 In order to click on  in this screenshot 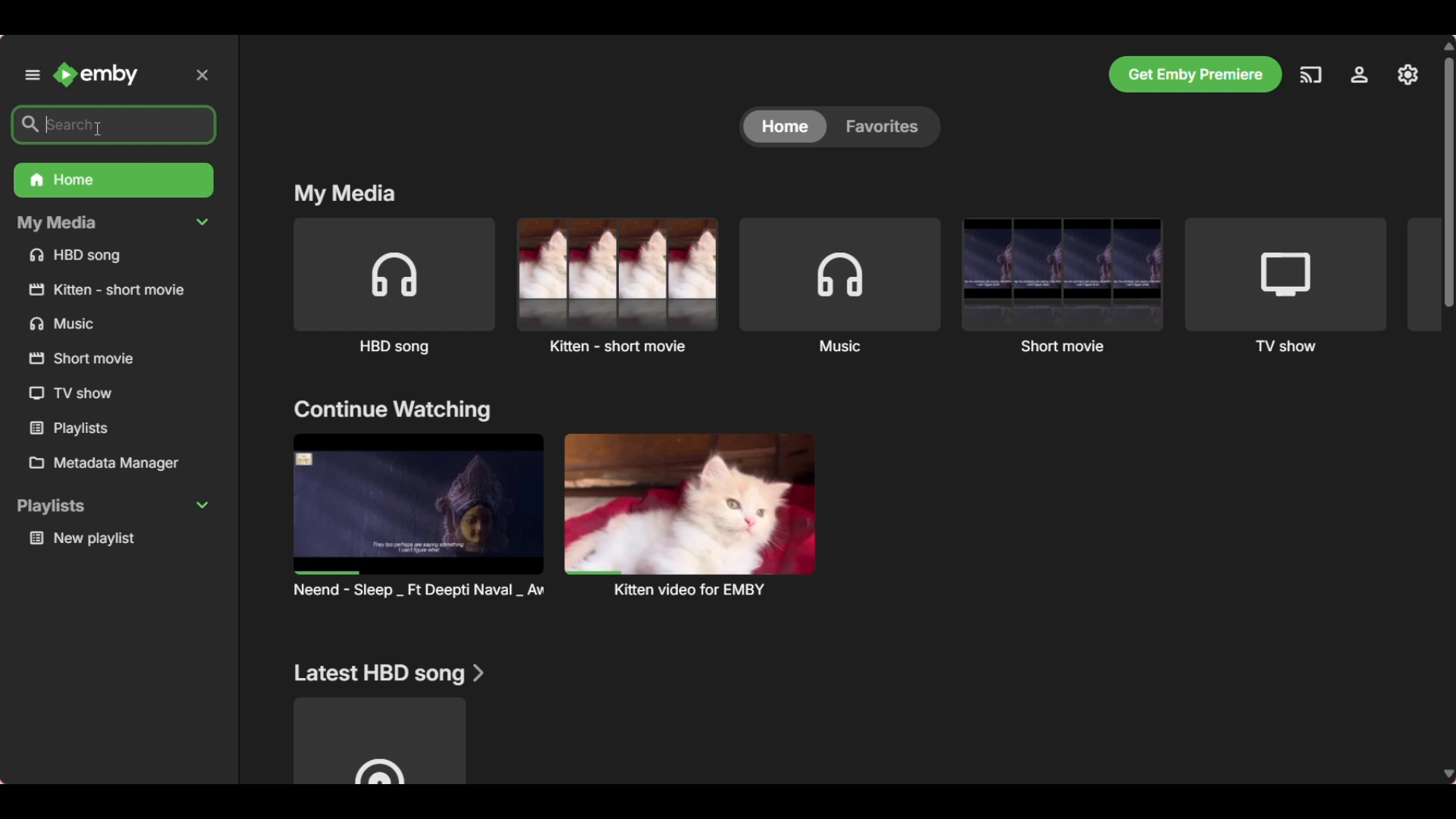, I will do `click(695, 519)`.